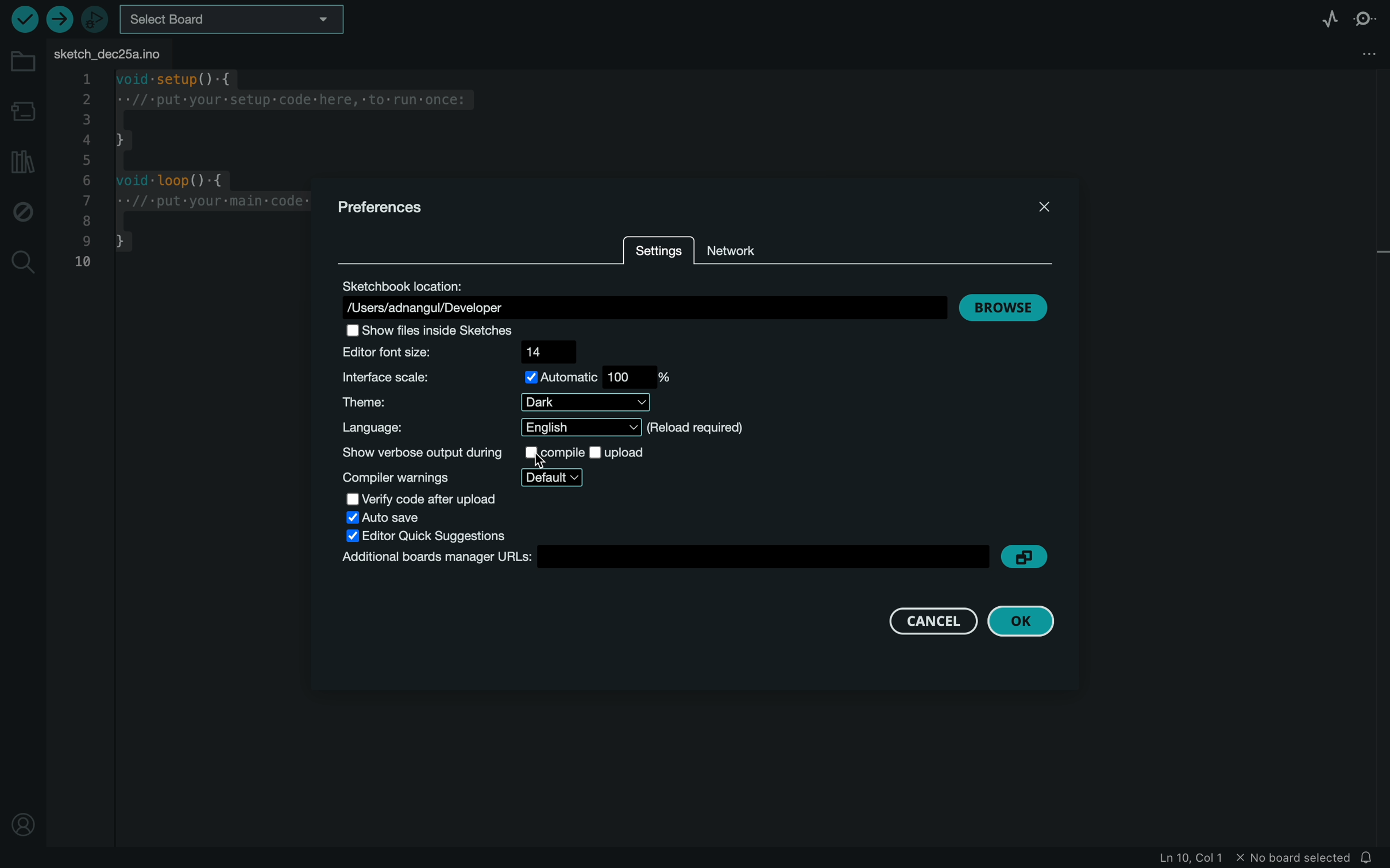  What do you see at coordinates (1347, 52) in the screenshot?
I see `file  setting` at bounding box center [1347, 52].